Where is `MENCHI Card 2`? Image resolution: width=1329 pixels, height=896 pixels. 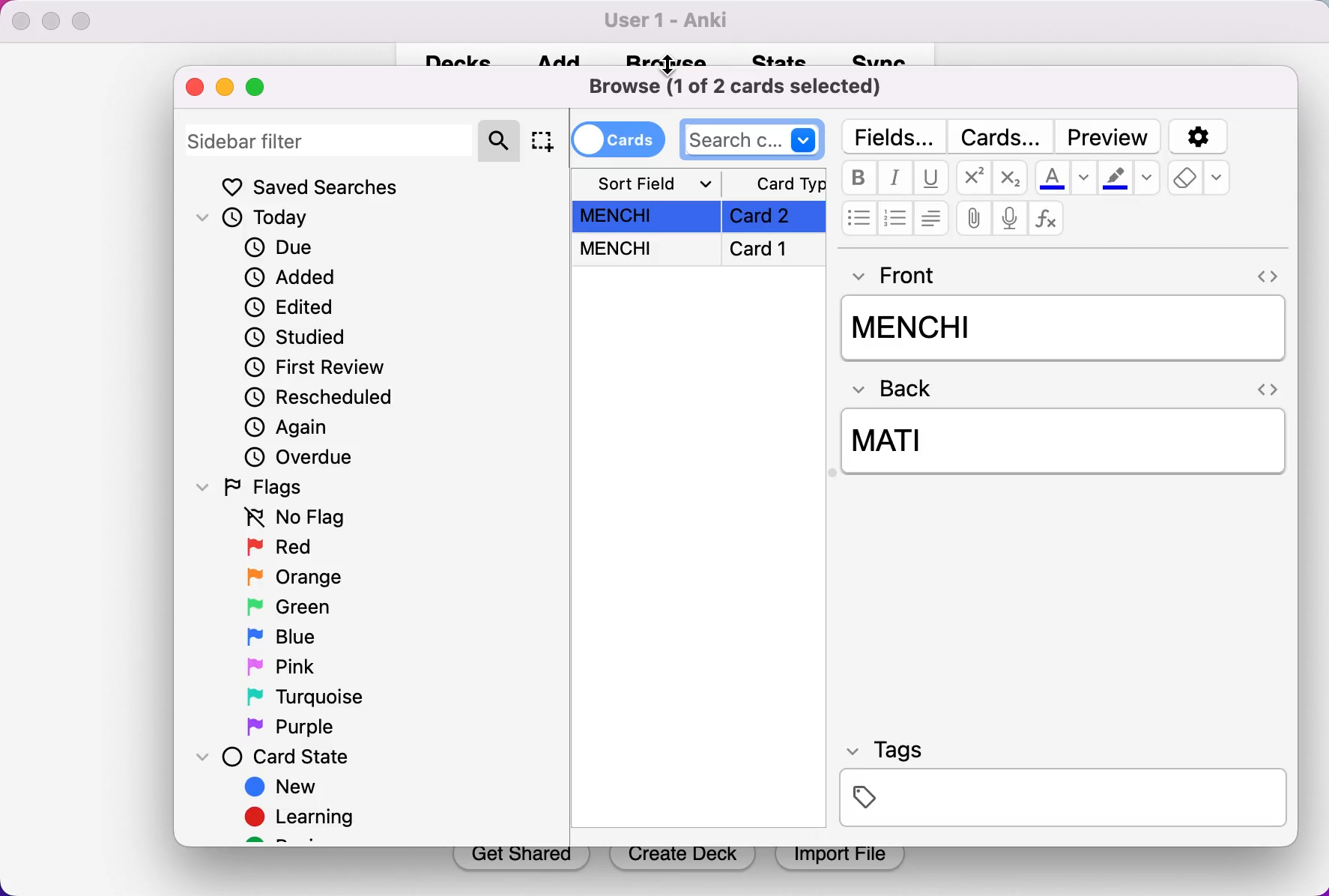 MENCHI Card 2 is located at coordinates (700, 217).